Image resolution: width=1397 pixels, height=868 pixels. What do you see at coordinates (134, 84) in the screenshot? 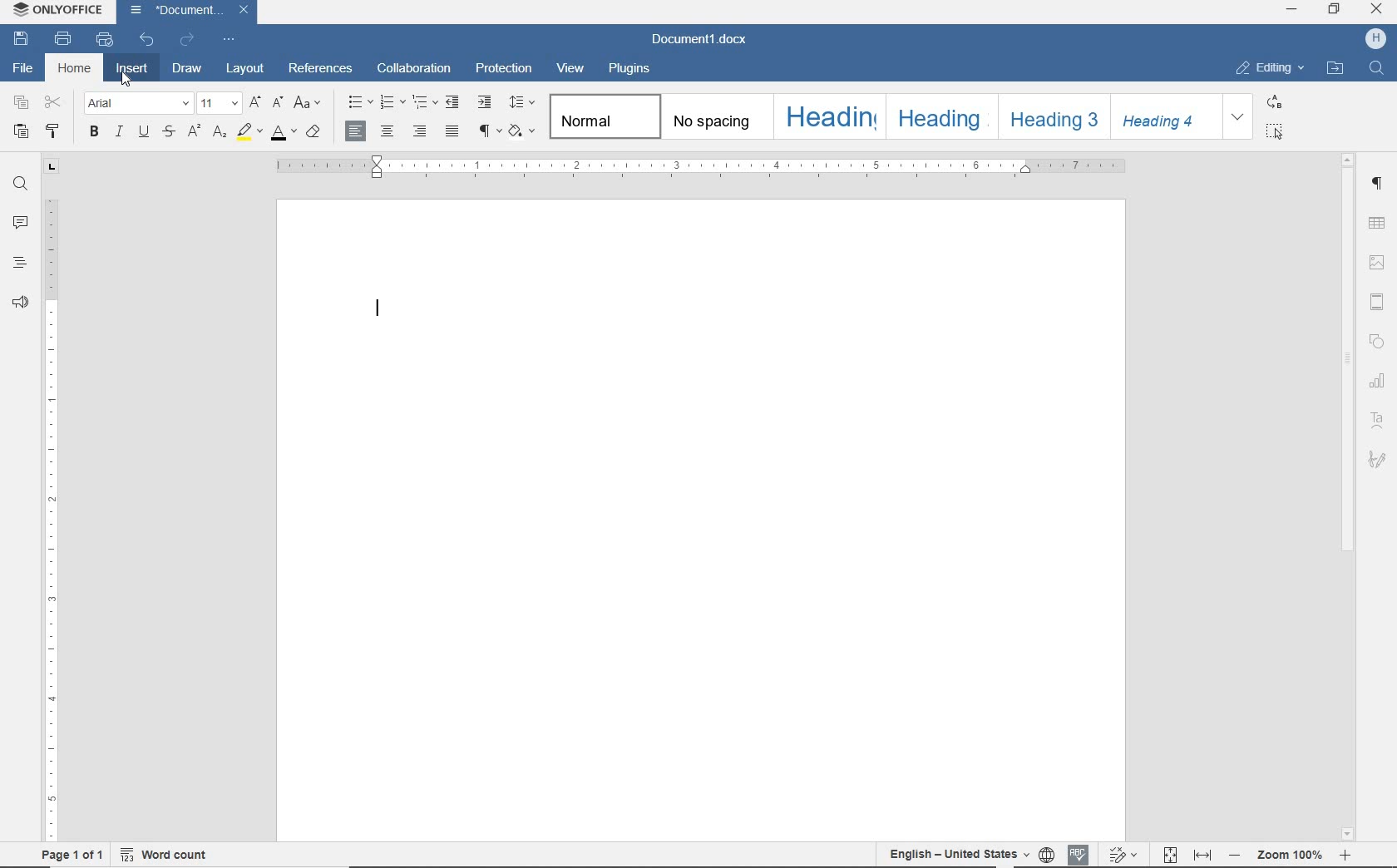
I see `Pointer` at bounding box center [134, 84].